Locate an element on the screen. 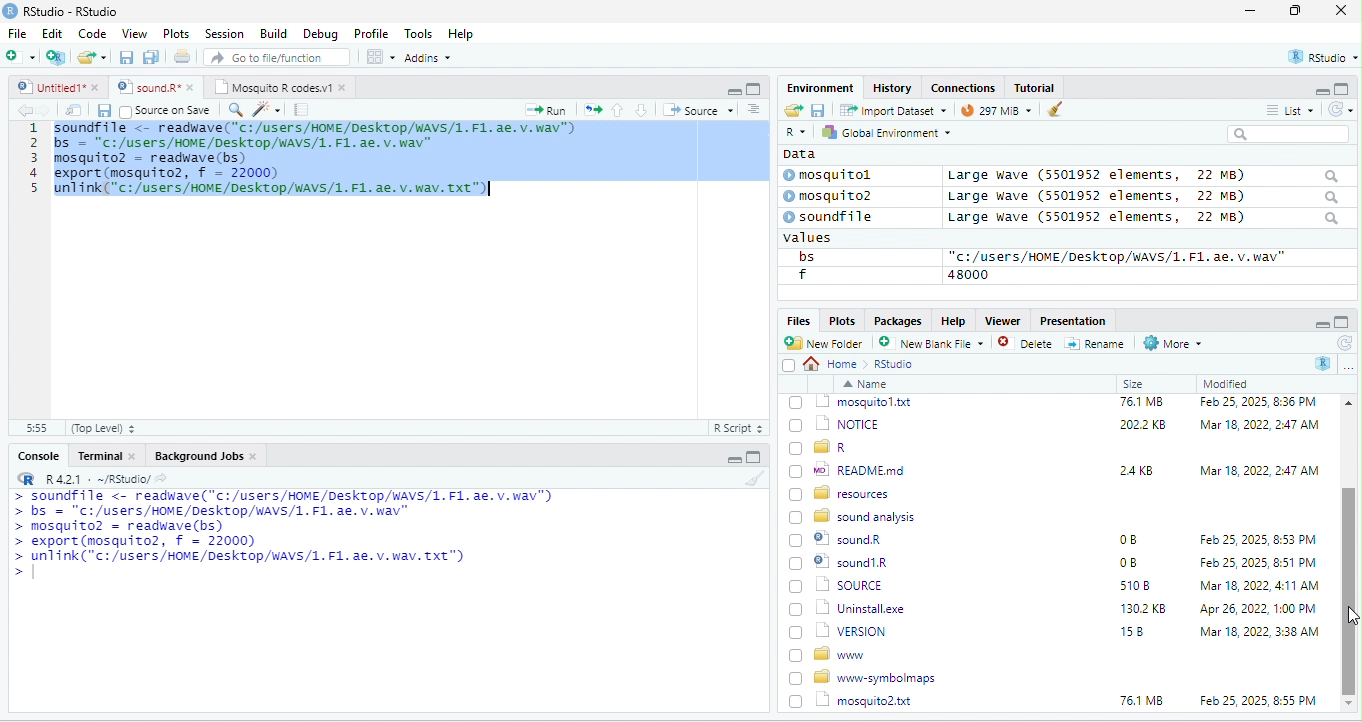  48000 is located at coordinates (969, 274).